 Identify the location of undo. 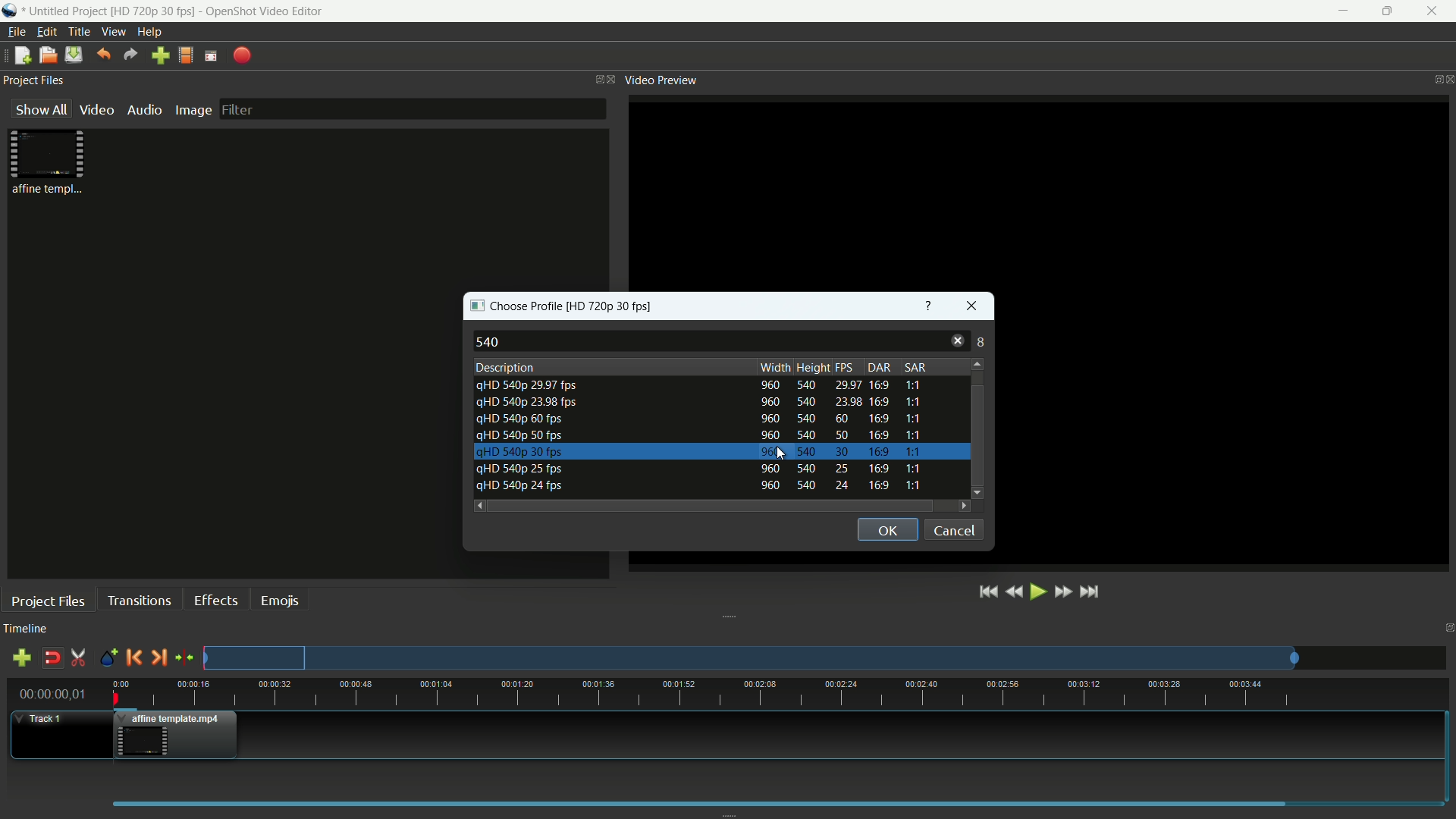
(103, 55).